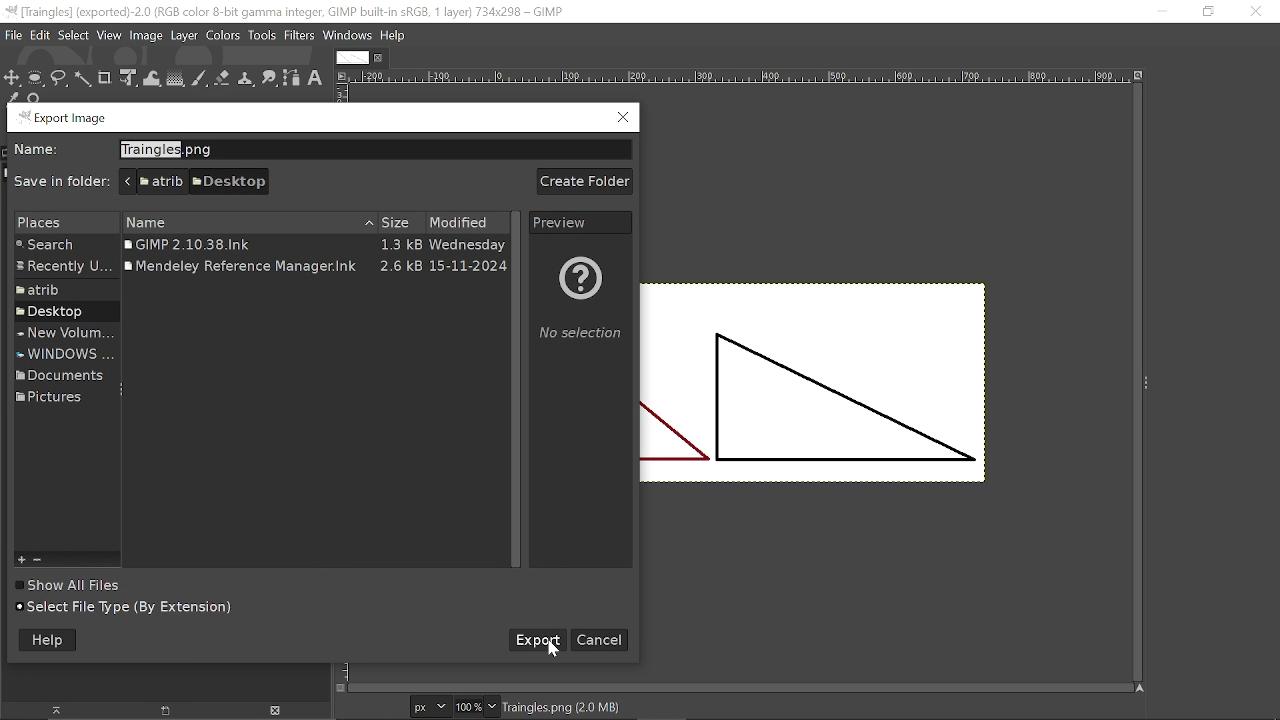 The image size is (1280, 720). I want to click on Places, so click(59, 223).